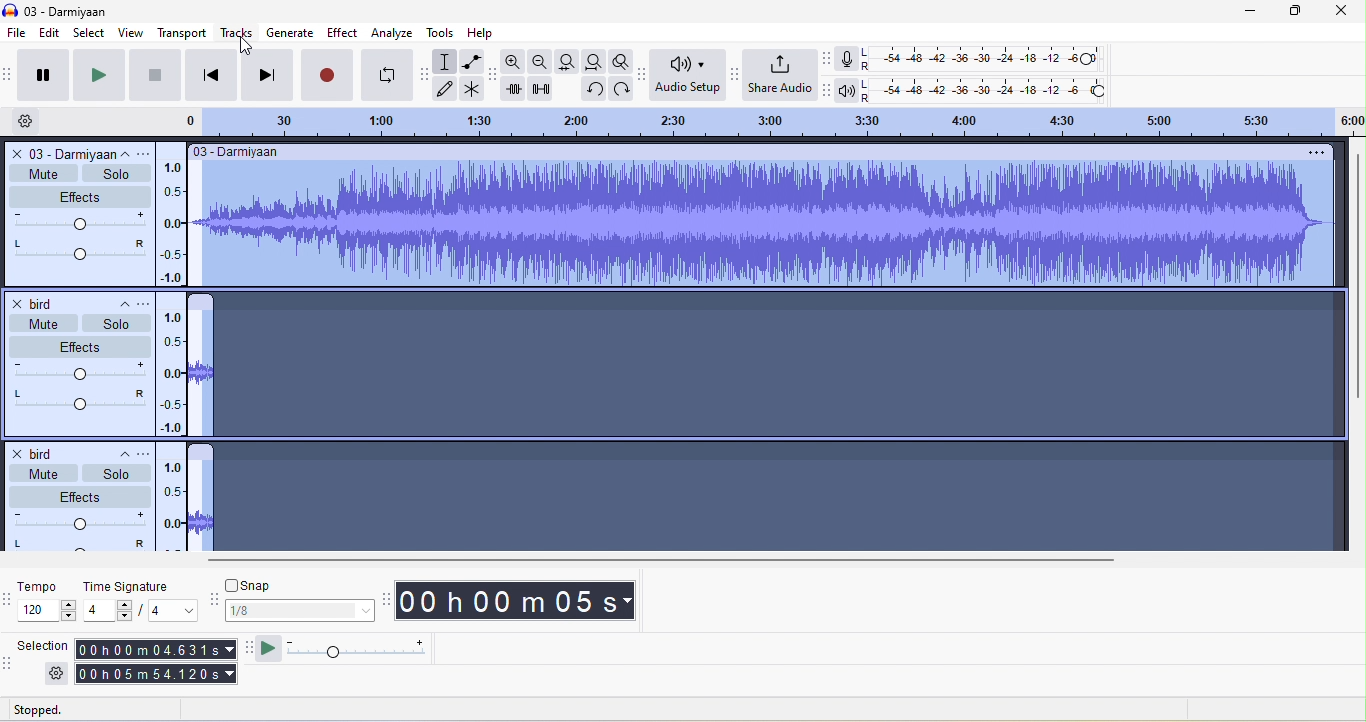 This screenshot has height=722, width=1366. Describe the element at coordinates (9, 598) in the screenshot. I see `audacity time selection toolbar` at that location.